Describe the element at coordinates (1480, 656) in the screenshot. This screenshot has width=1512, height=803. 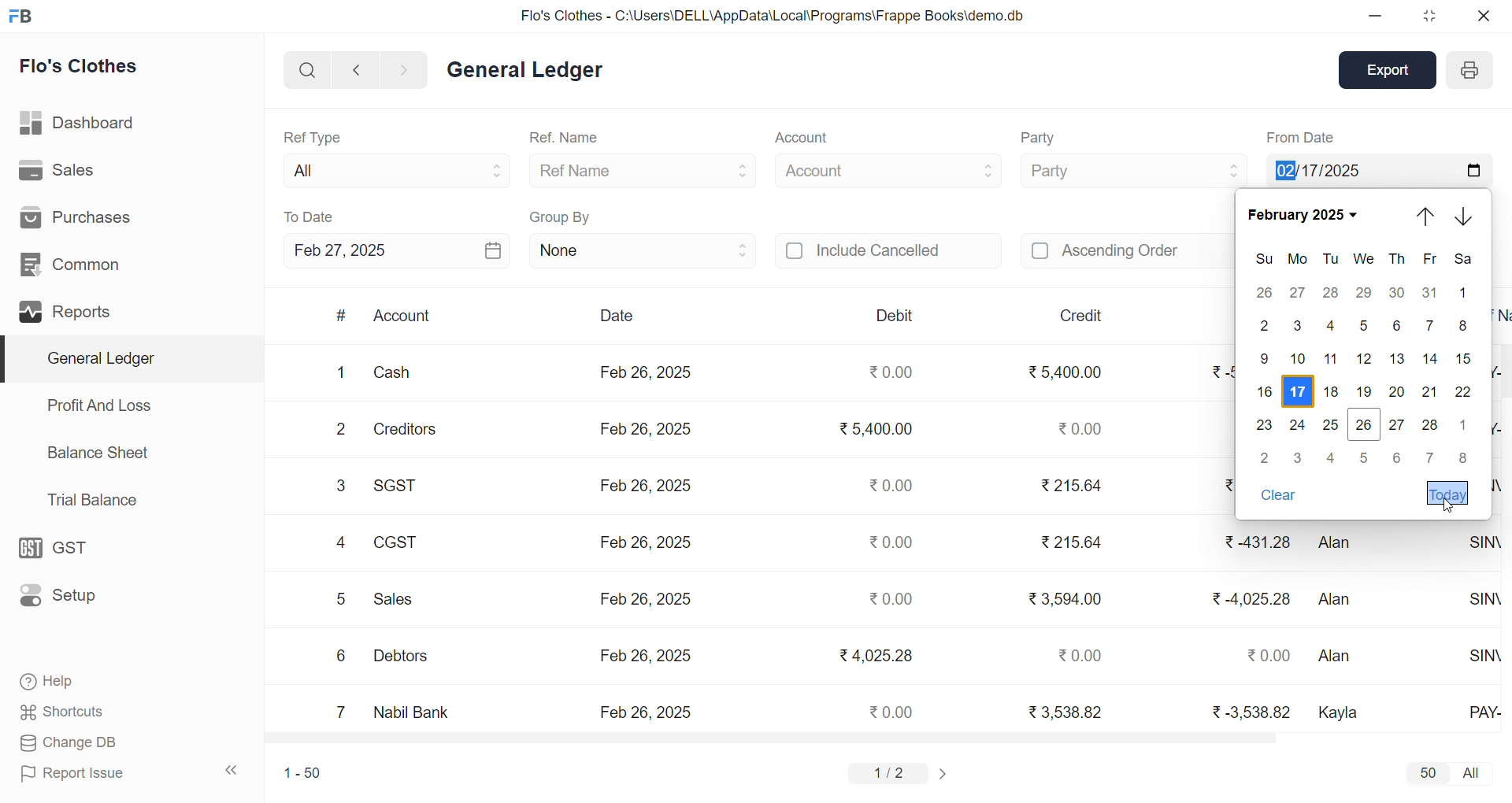
I see `SINV-` at that location.